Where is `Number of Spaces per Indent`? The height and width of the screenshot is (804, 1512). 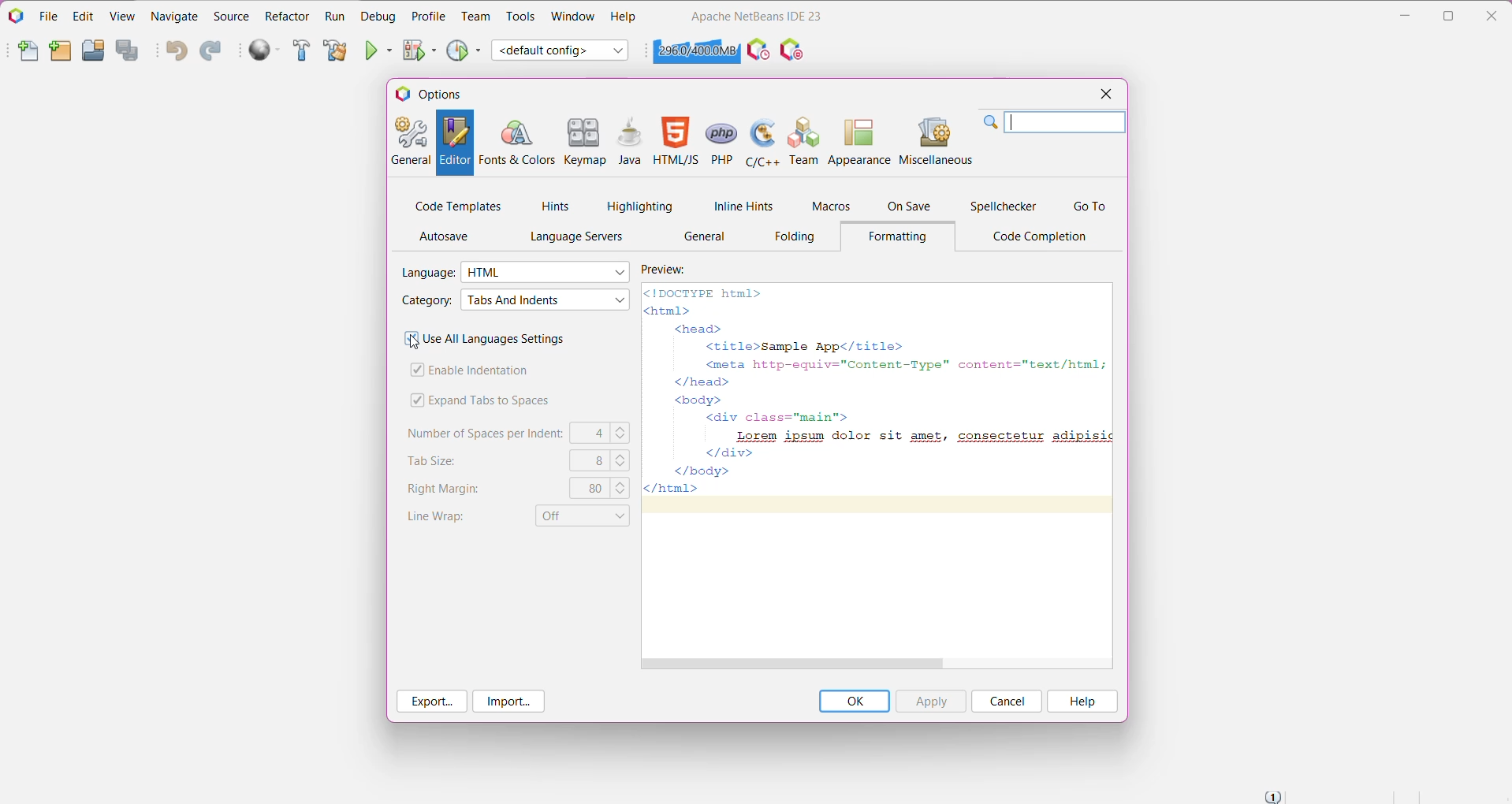 Number of Spaces per Indent is located at coordinates (485, 433).